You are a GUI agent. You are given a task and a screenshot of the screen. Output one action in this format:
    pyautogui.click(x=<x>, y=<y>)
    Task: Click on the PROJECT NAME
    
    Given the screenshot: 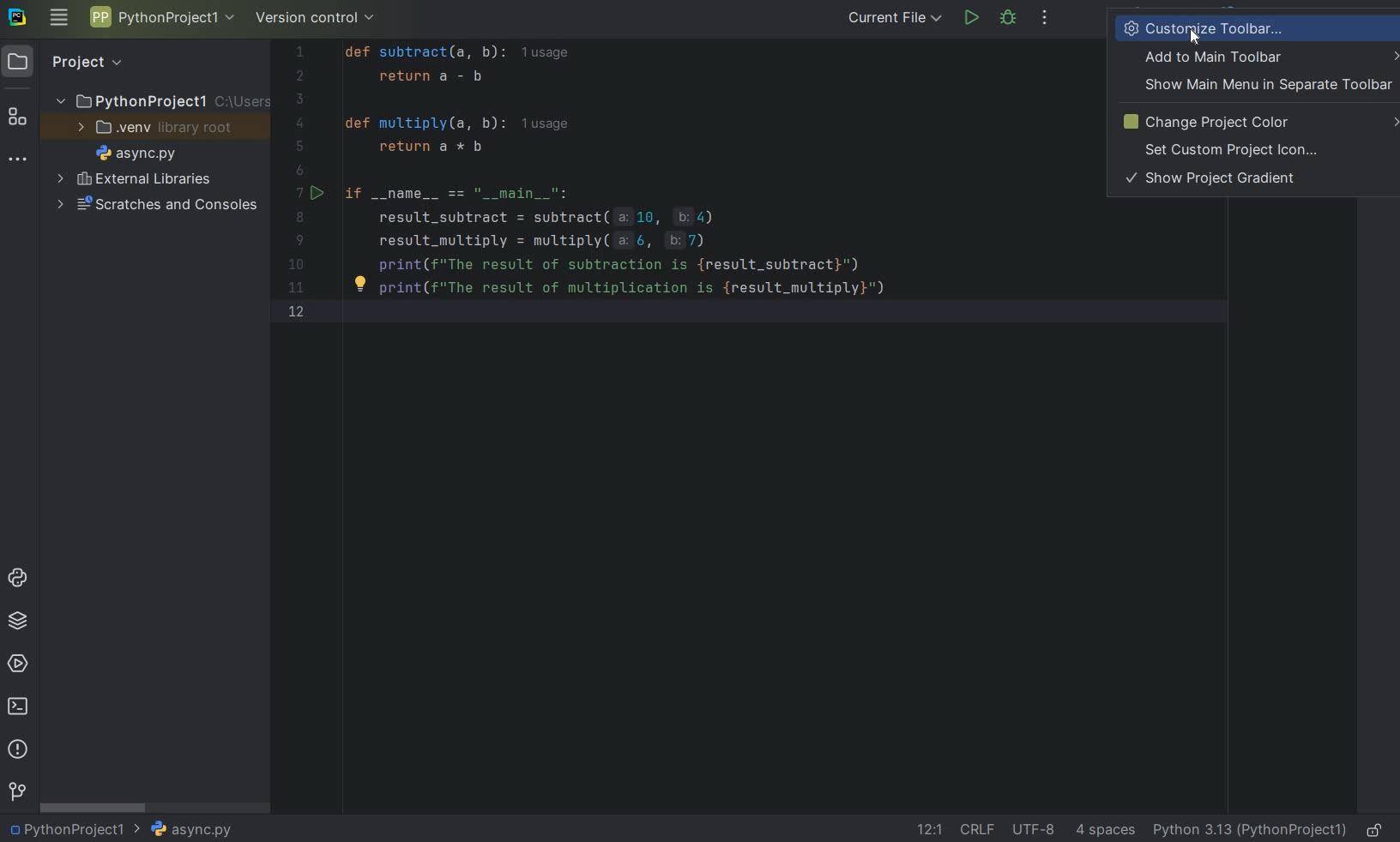 What is the action you would take?
    pyautogui.click(x=160, y=99)
    